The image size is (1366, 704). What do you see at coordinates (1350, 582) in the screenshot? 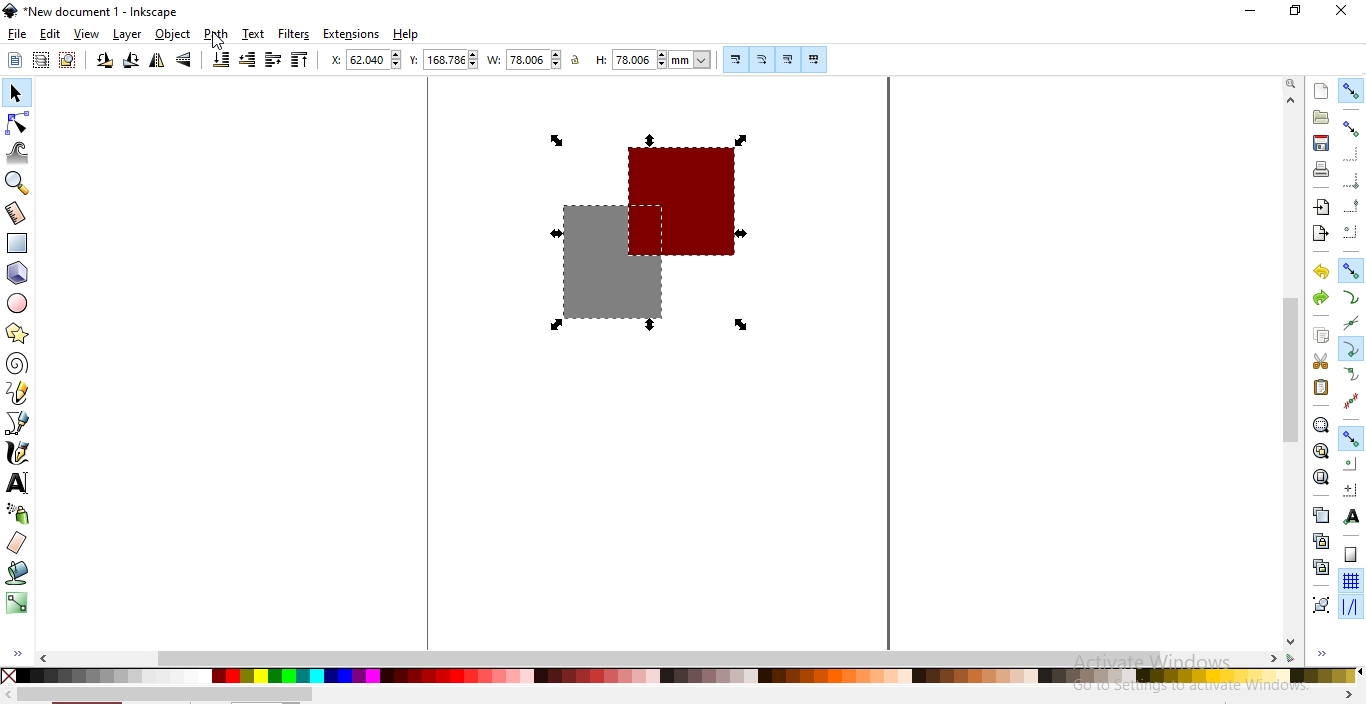
I see `snap to grids` at bounding box center [1350, 582].